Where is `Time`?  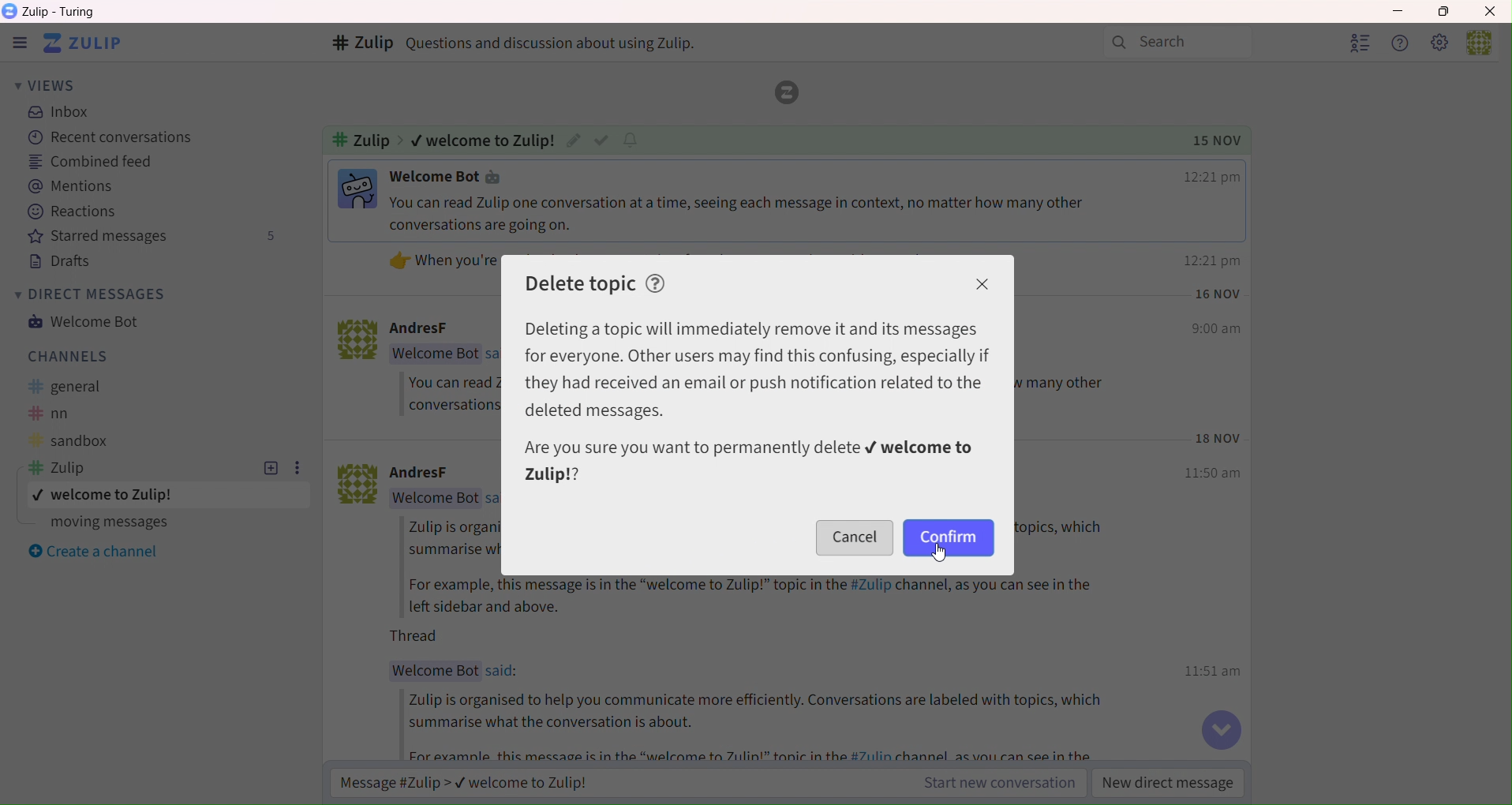
Time is located at coordinates (1215, 672).